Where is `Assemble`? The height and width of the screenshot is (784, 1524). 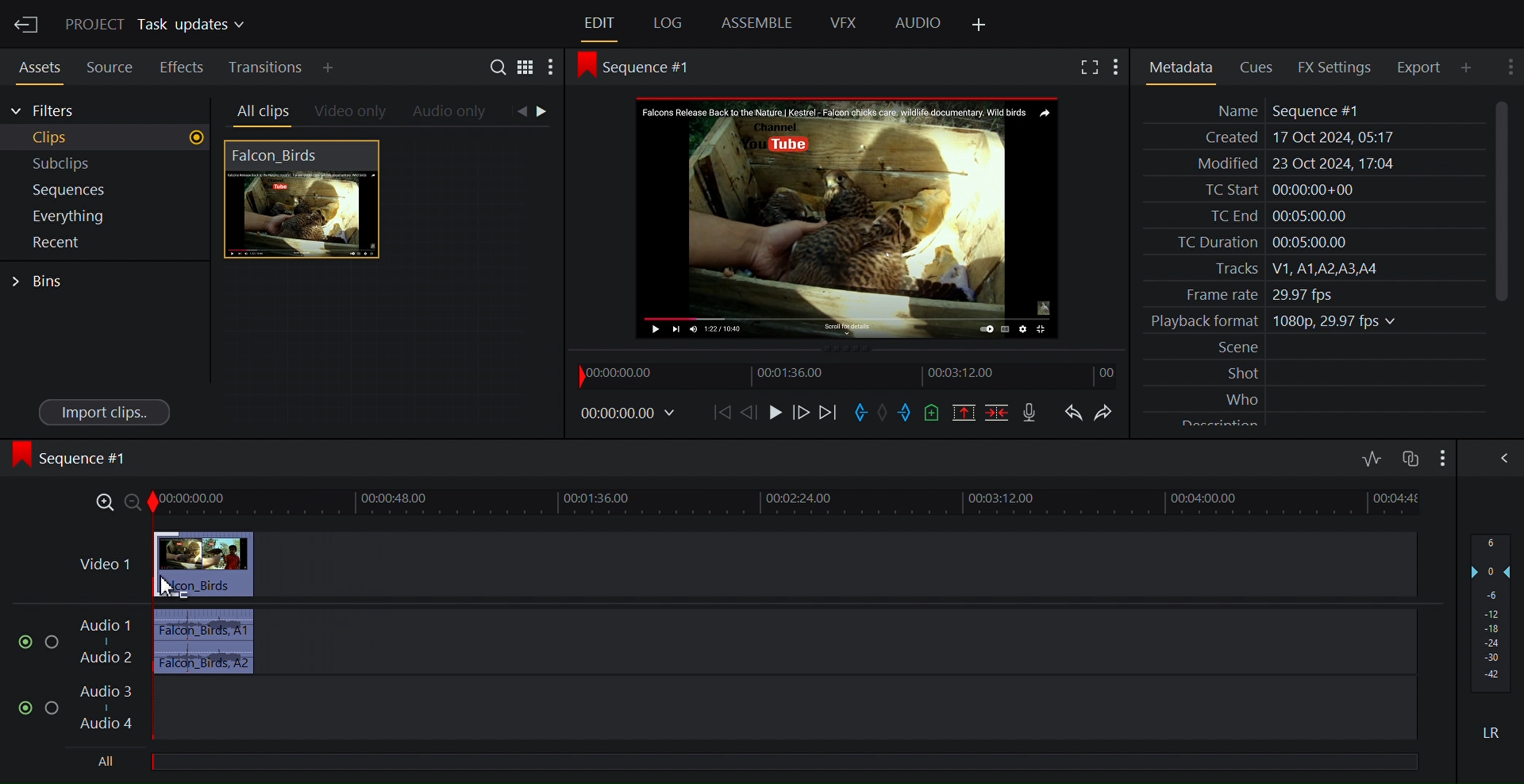
Assemble is located at coordinates (758, 22).